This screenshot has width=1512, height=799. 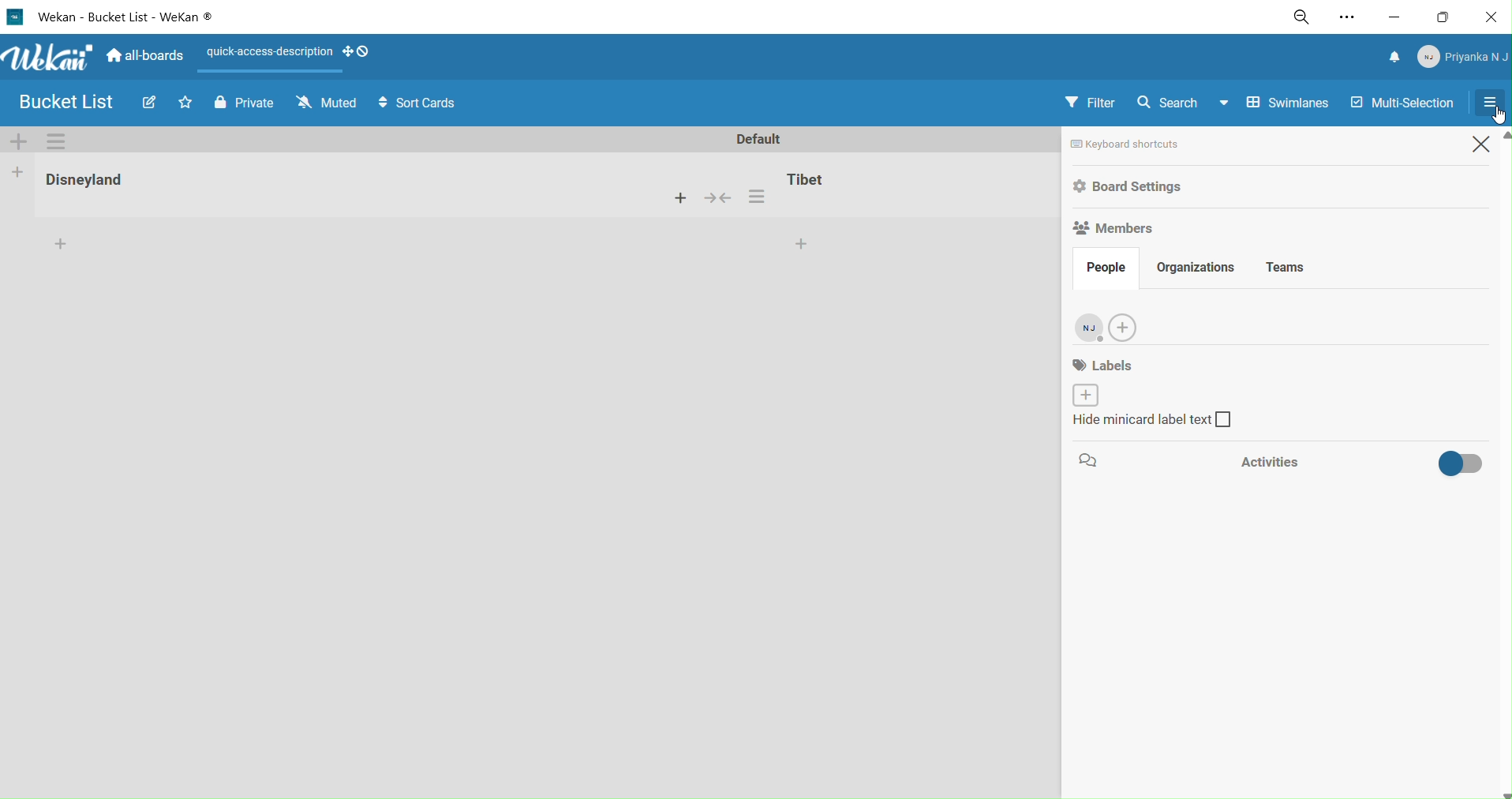 What do you see at coordinates (51, 57) in the screenshot?
I see `title` at bounding box center [51, 57].